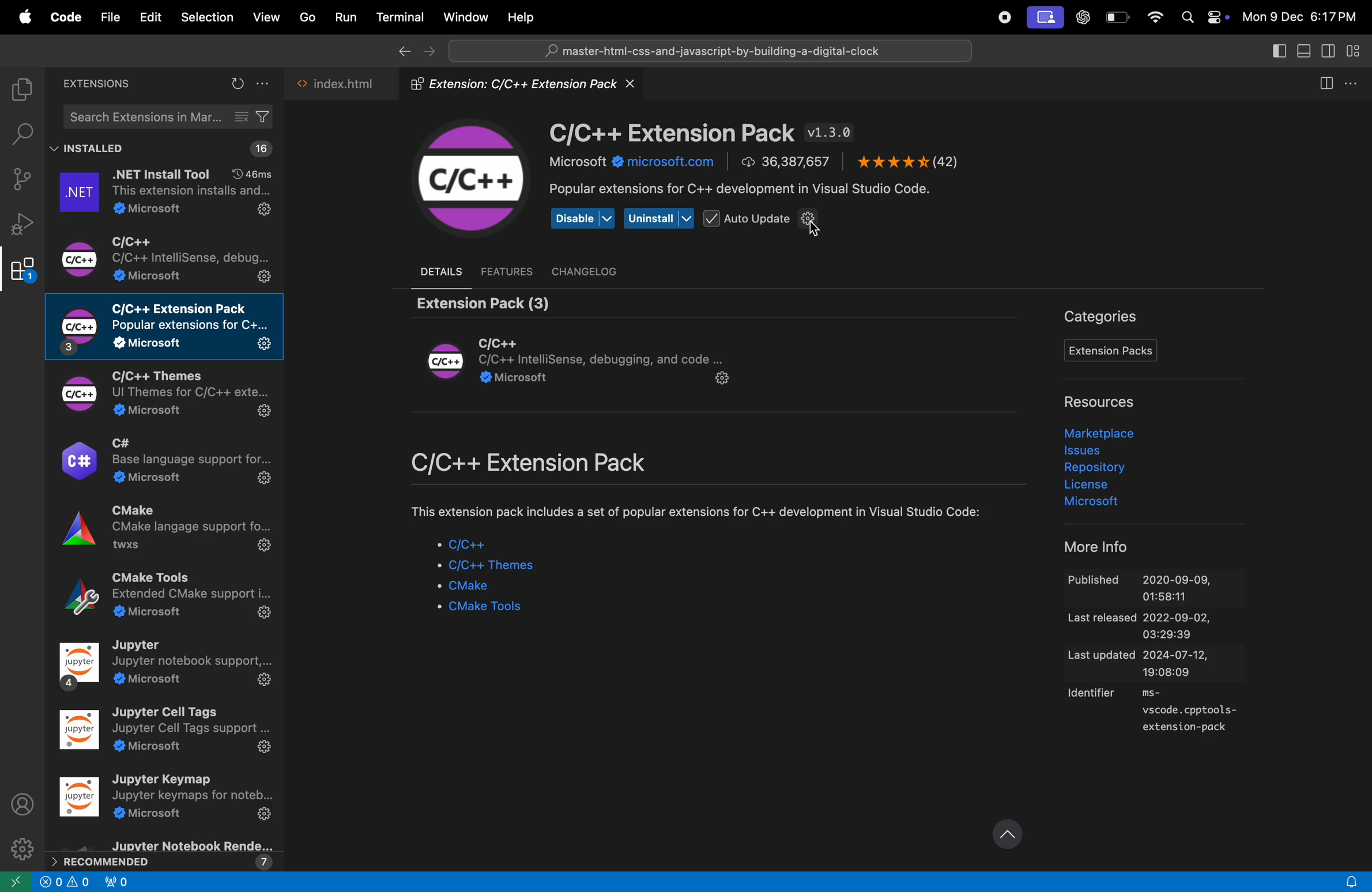  Describe the element at coordinates (206, 18) in the screenshot. I see `selection` at that location.